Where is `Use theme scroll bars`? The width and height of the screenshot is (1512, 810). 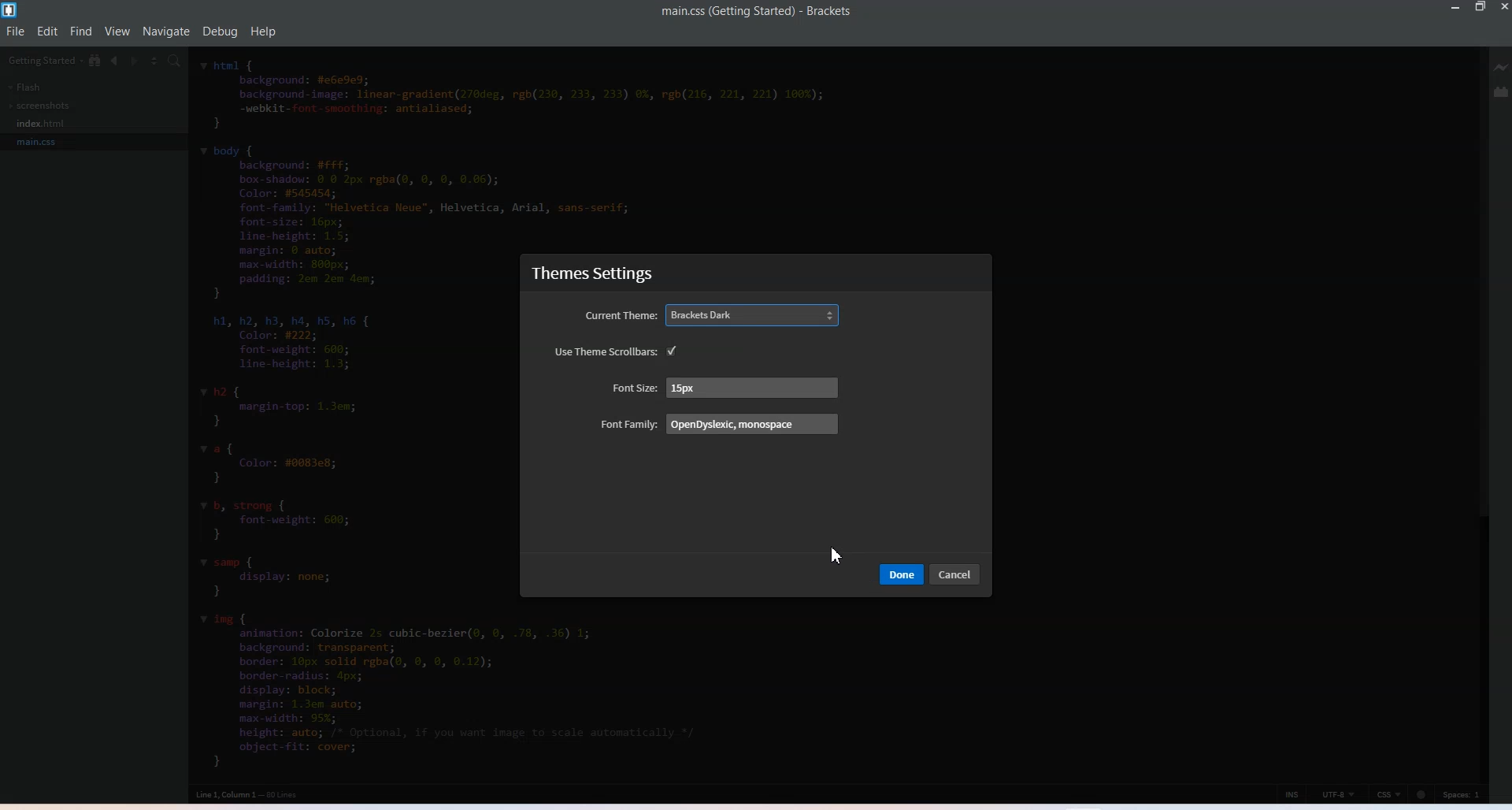
Use theme scroll bars is located at coordinates (616, 351).